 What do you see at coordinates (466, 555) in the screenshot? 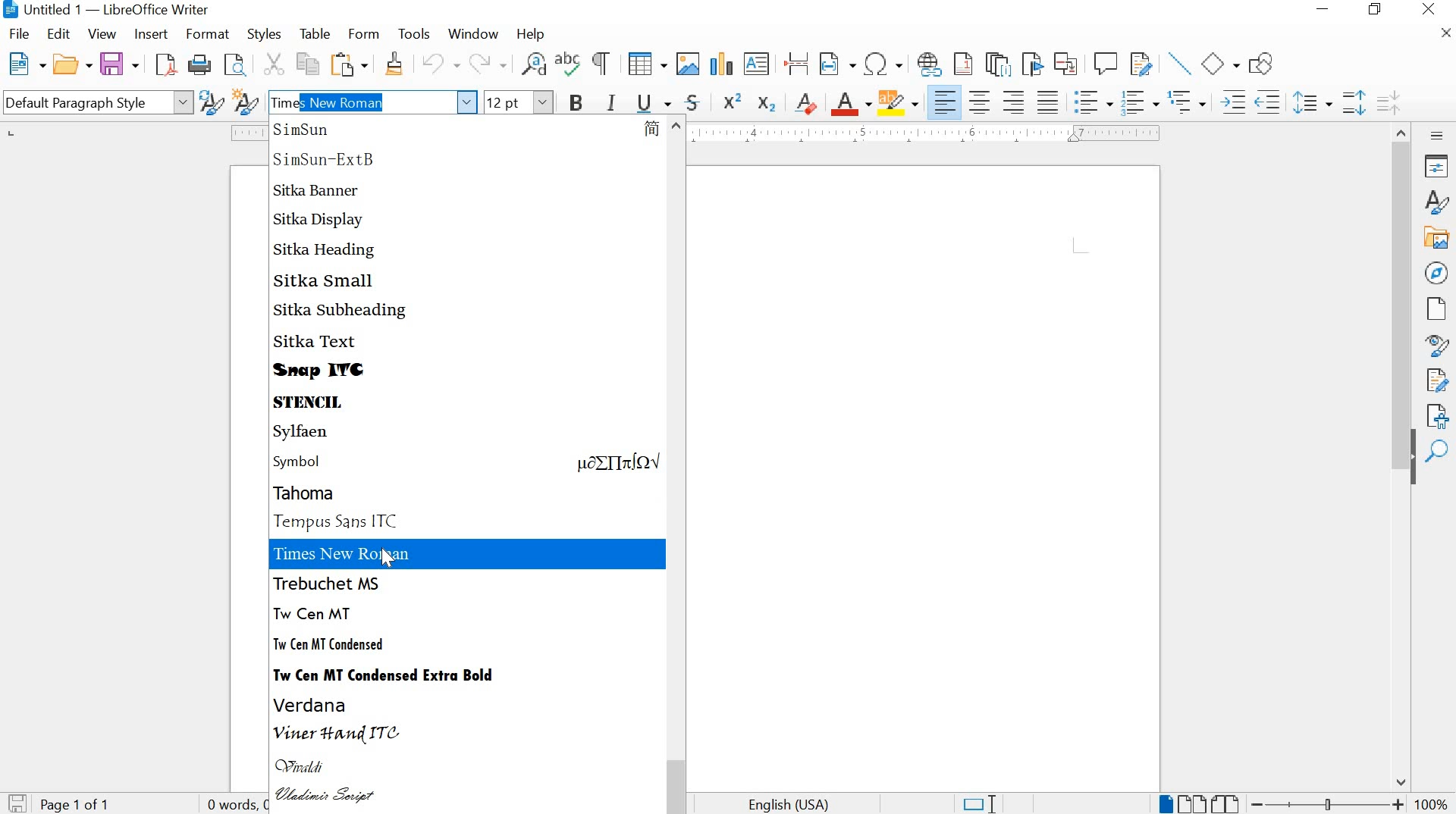
I see `TIMES NEW ROMAN` at bounding box center [466, 555].